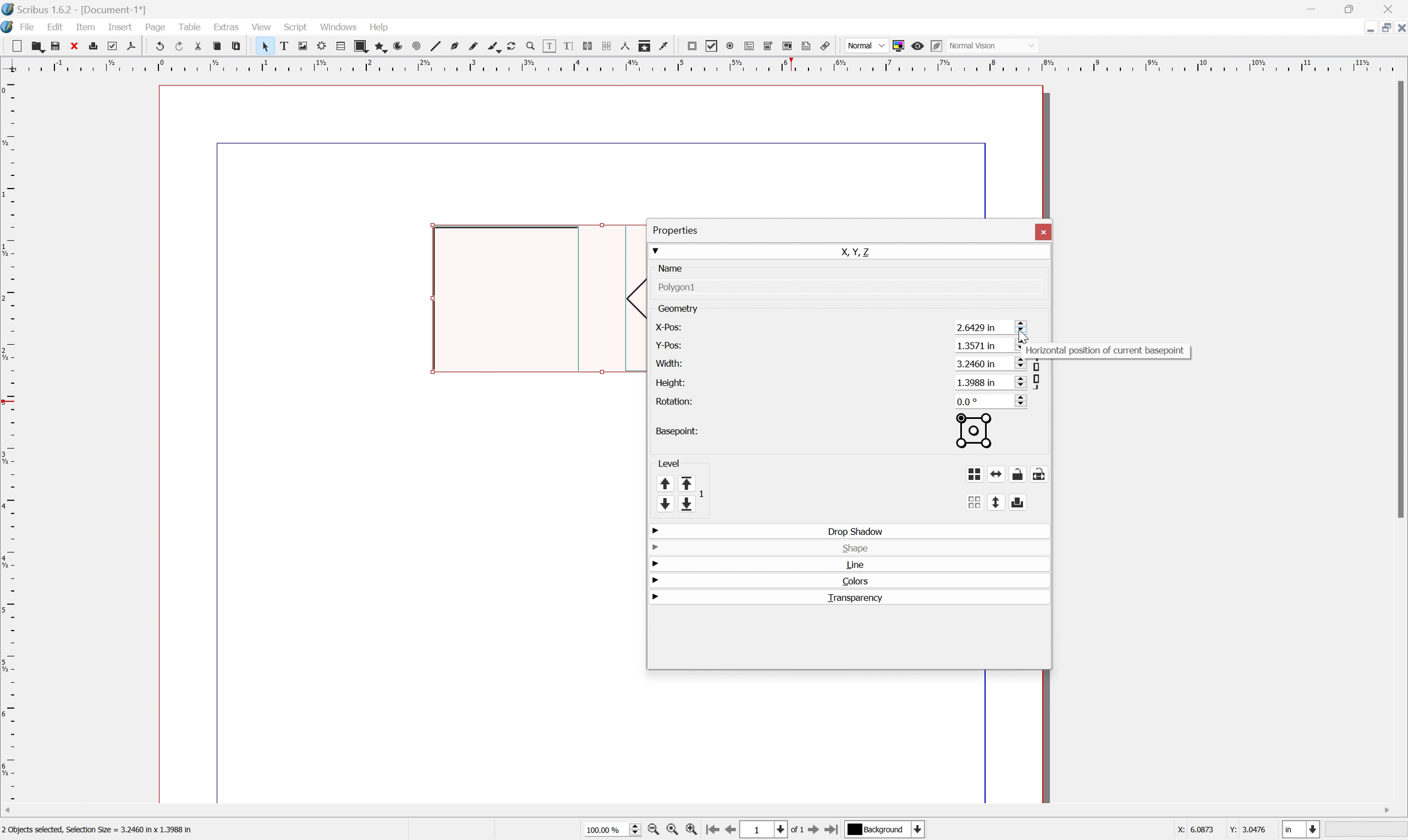 The height and width of the screenshot is (840, 1408). What do you see at coordinates (568, 47) in the screenshot?
I see `edit text with story editor` at bounding box center [568, 47].